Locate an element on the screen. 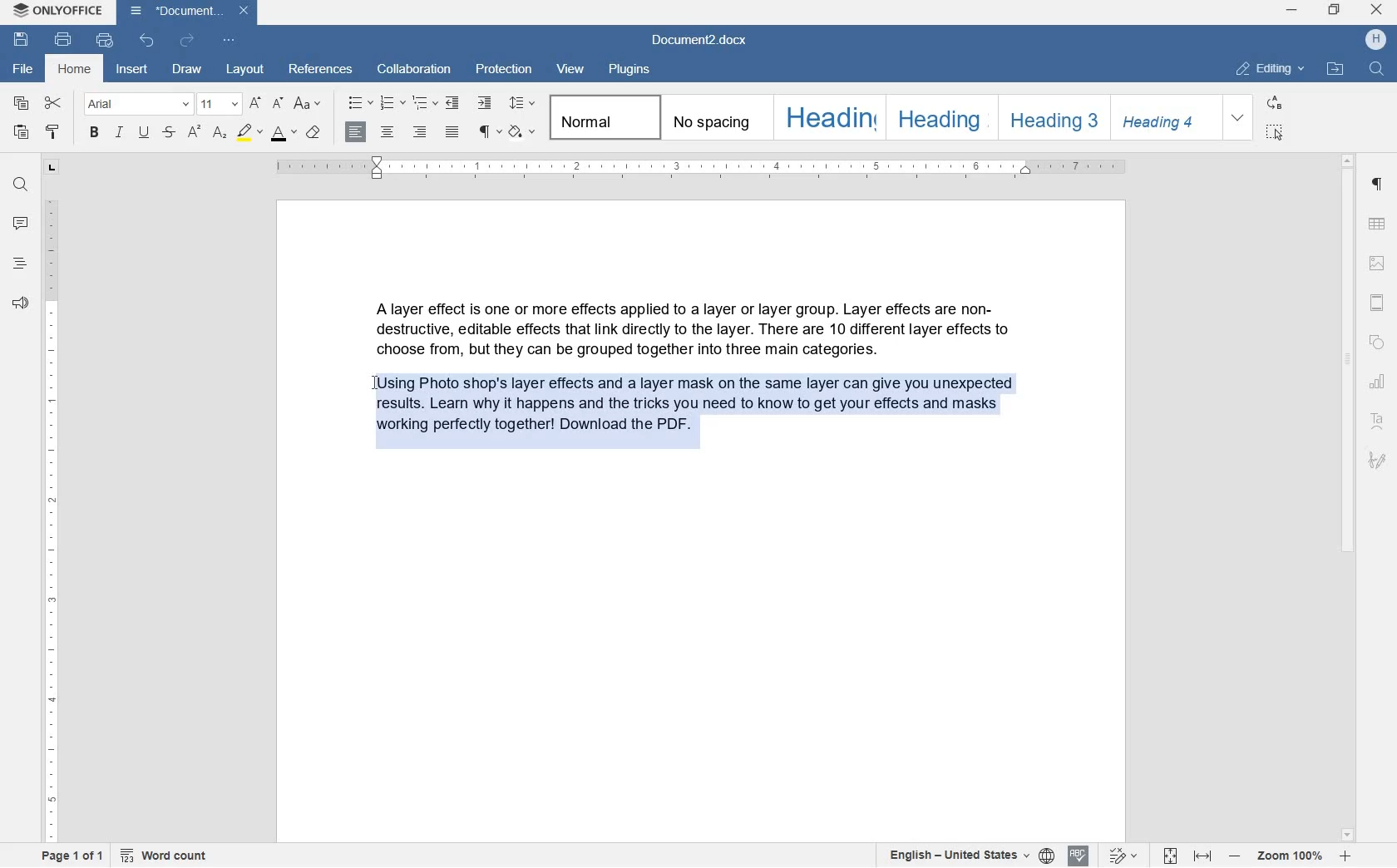  SELECT TEXT OR DOCUMENT LANGUAGE is located at coordinates (971, 856).